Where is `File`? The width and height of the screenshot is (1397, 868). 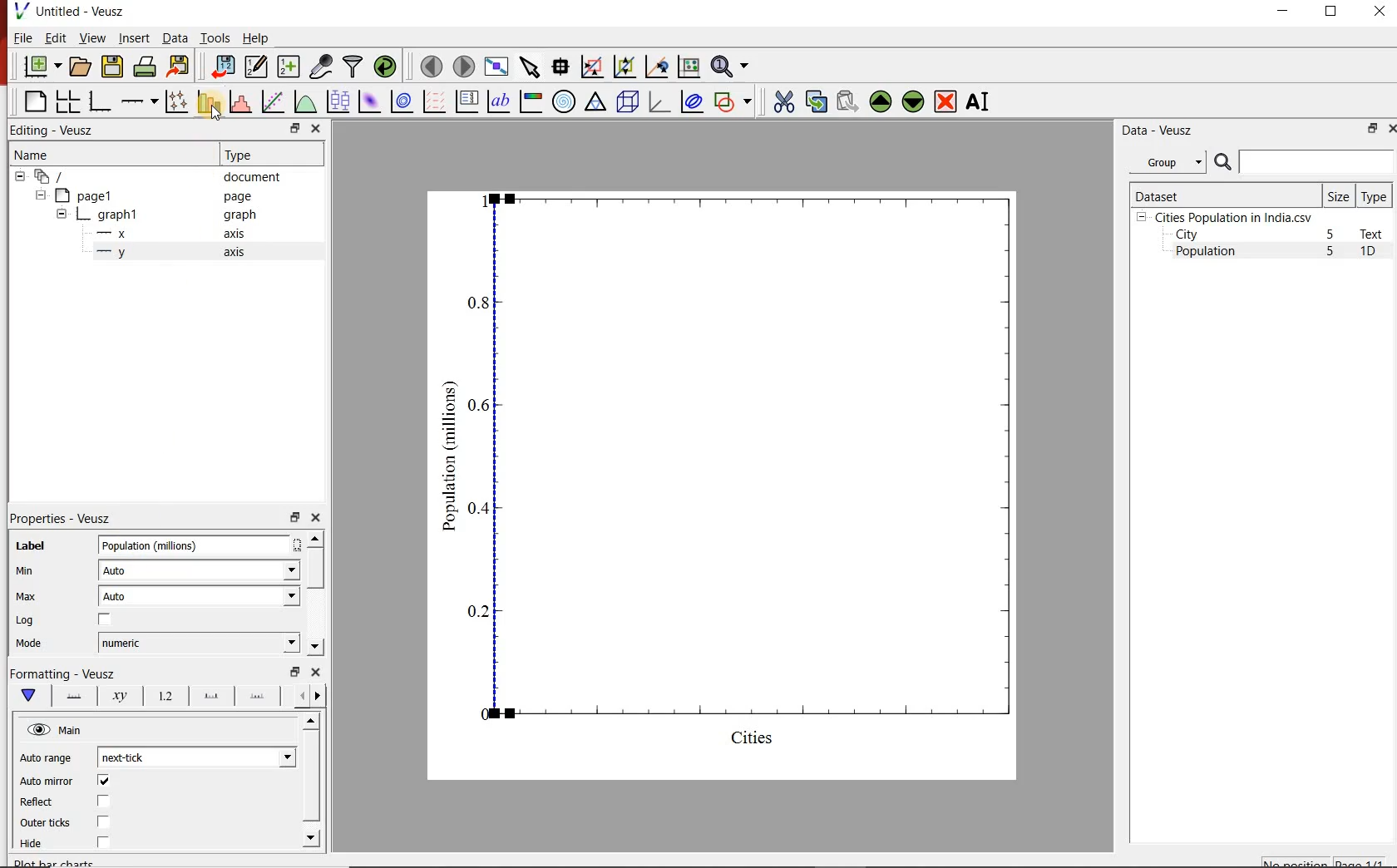
File is located at coordinates (23, 37).